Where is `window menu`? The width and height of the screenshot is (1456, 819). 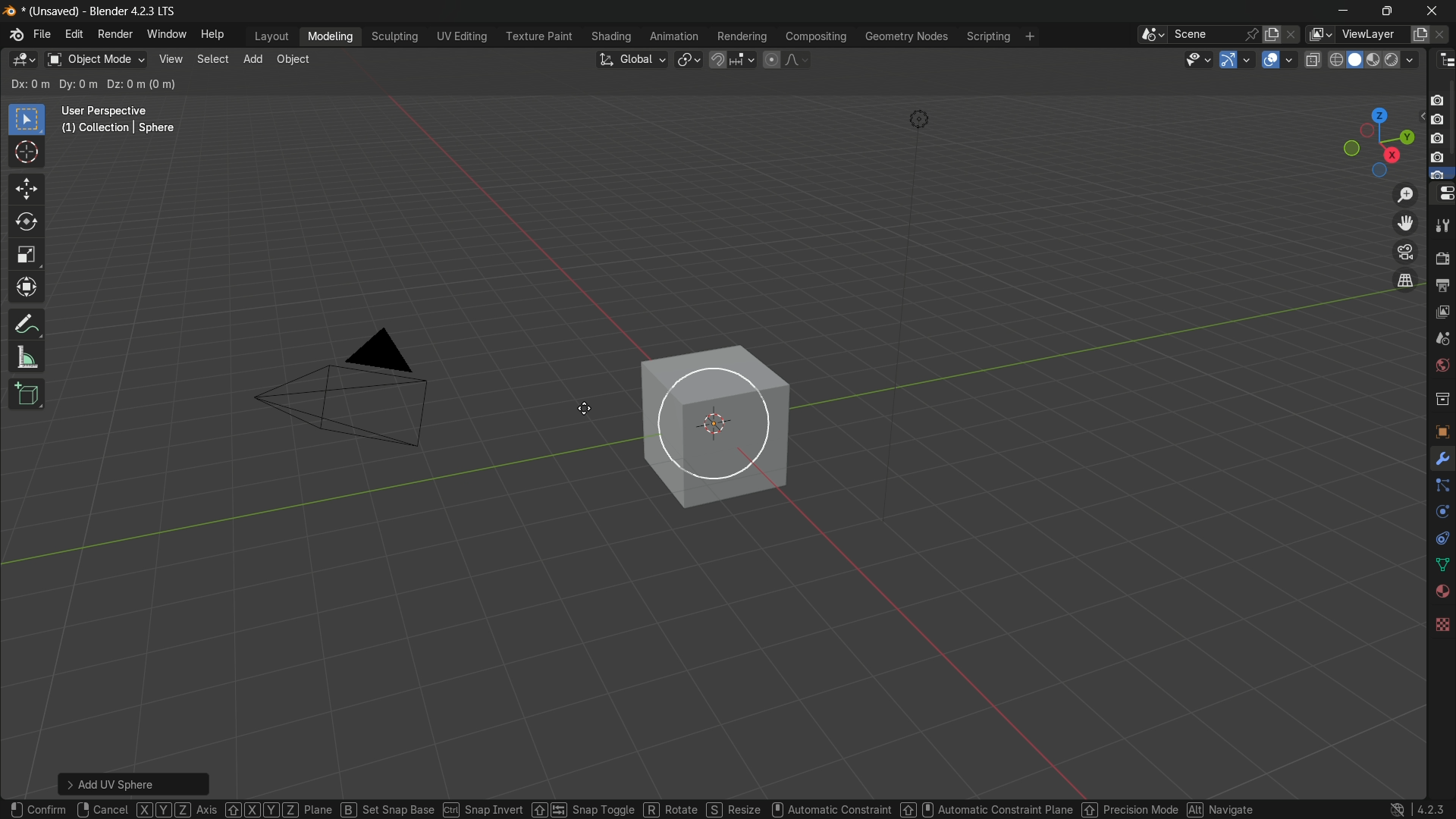
window menu is located at coordinates (163, 34).